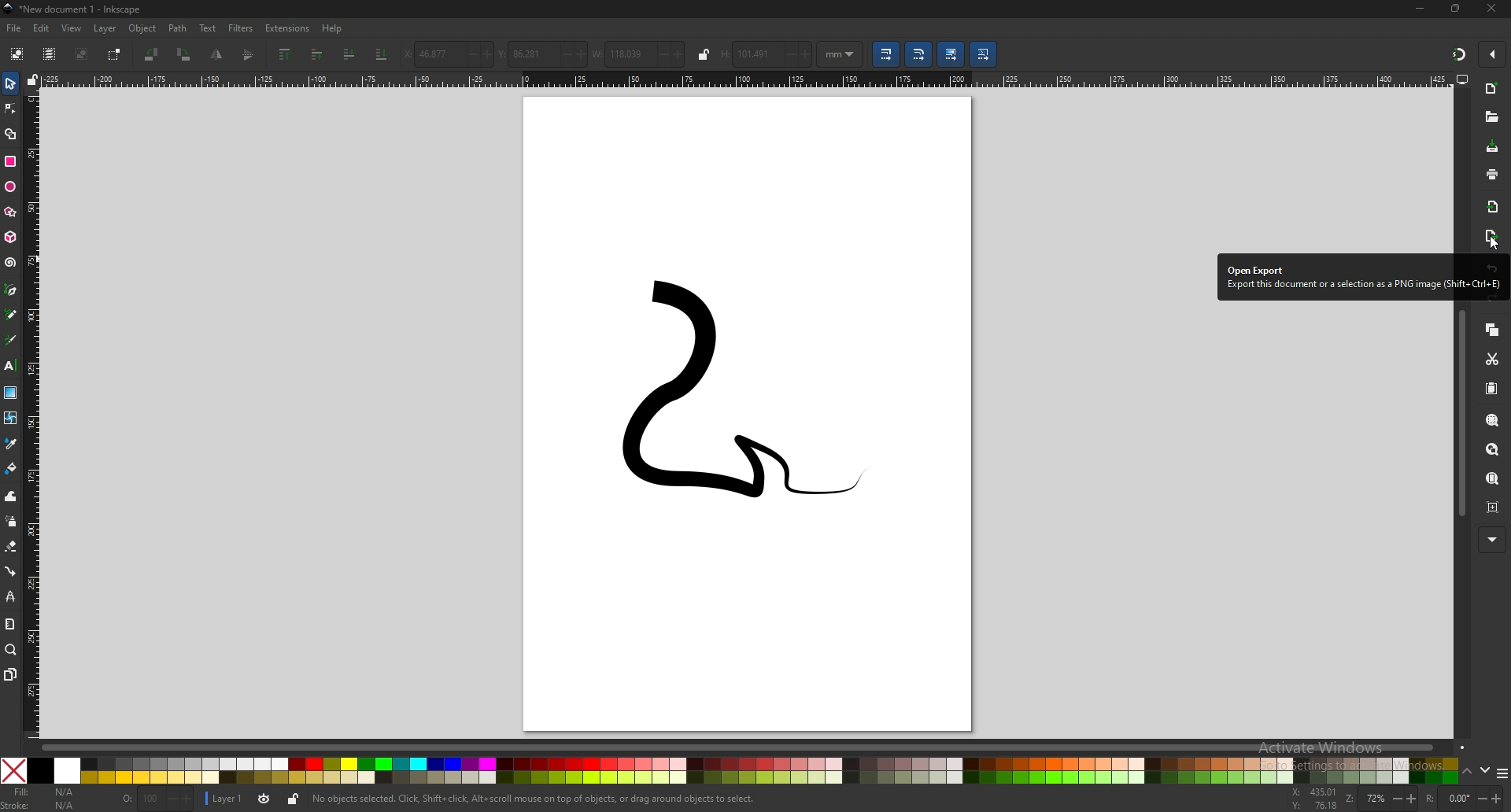 The image size is (1511, 812). What do you see at coordinates (951, 55) in the screenshot?
I see `move gradient` at bounding box center [951, 55].